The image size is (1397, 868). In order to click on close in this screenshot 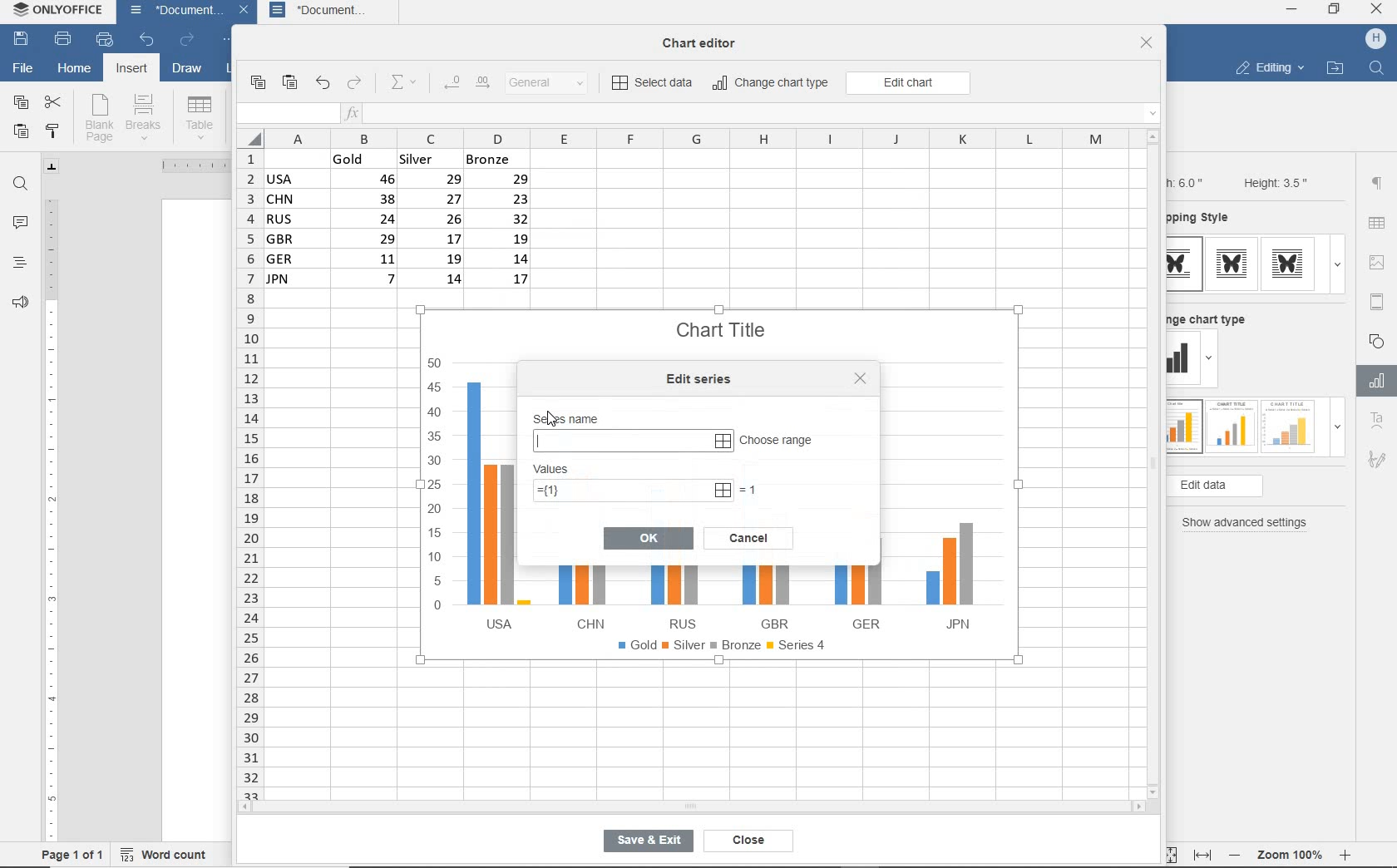, I will do `click(246, 12)`.